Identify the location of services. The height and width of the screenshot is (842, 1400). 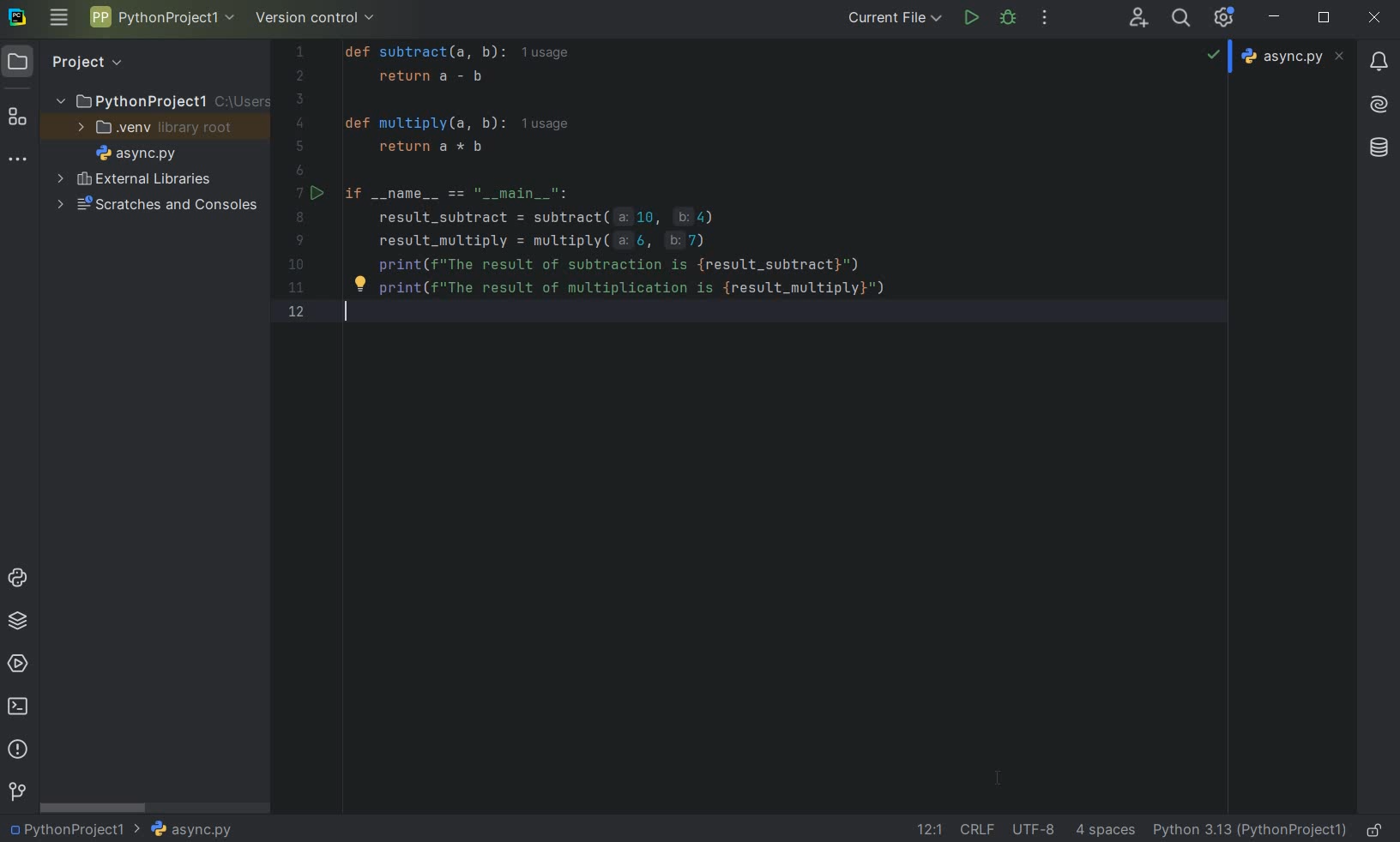
(20, 663).